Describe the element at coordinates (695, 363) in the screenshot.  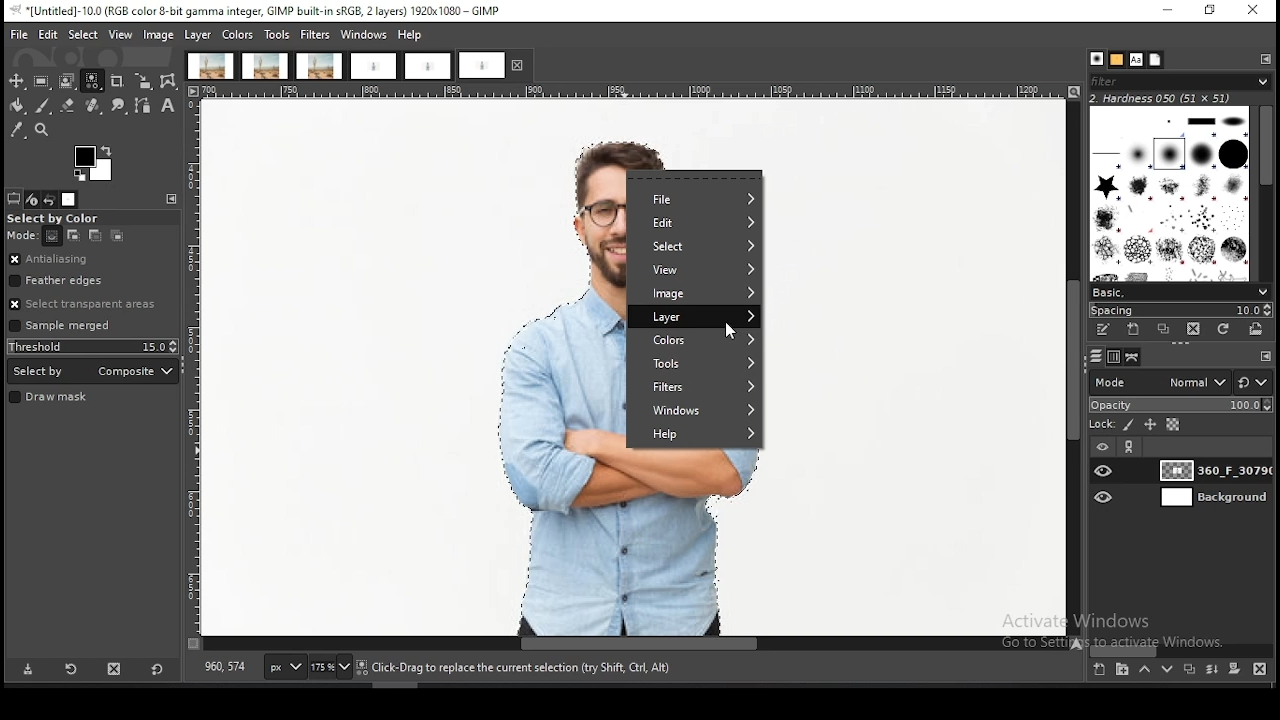
I see `tools` at that location.